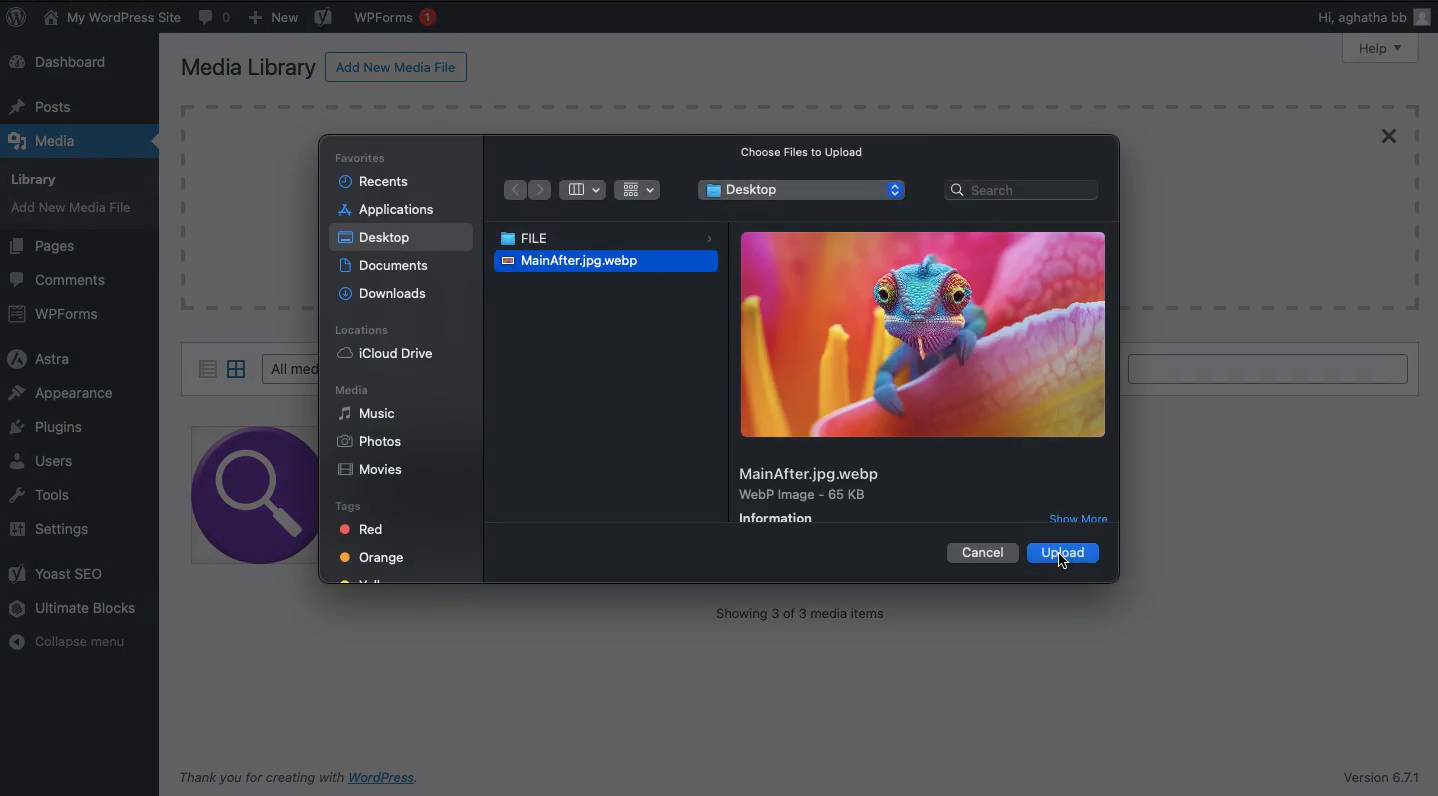  What do you see at coordinates (55, 315) in the screenshot?
I see `WPForms` at bounding box center [55, 315].